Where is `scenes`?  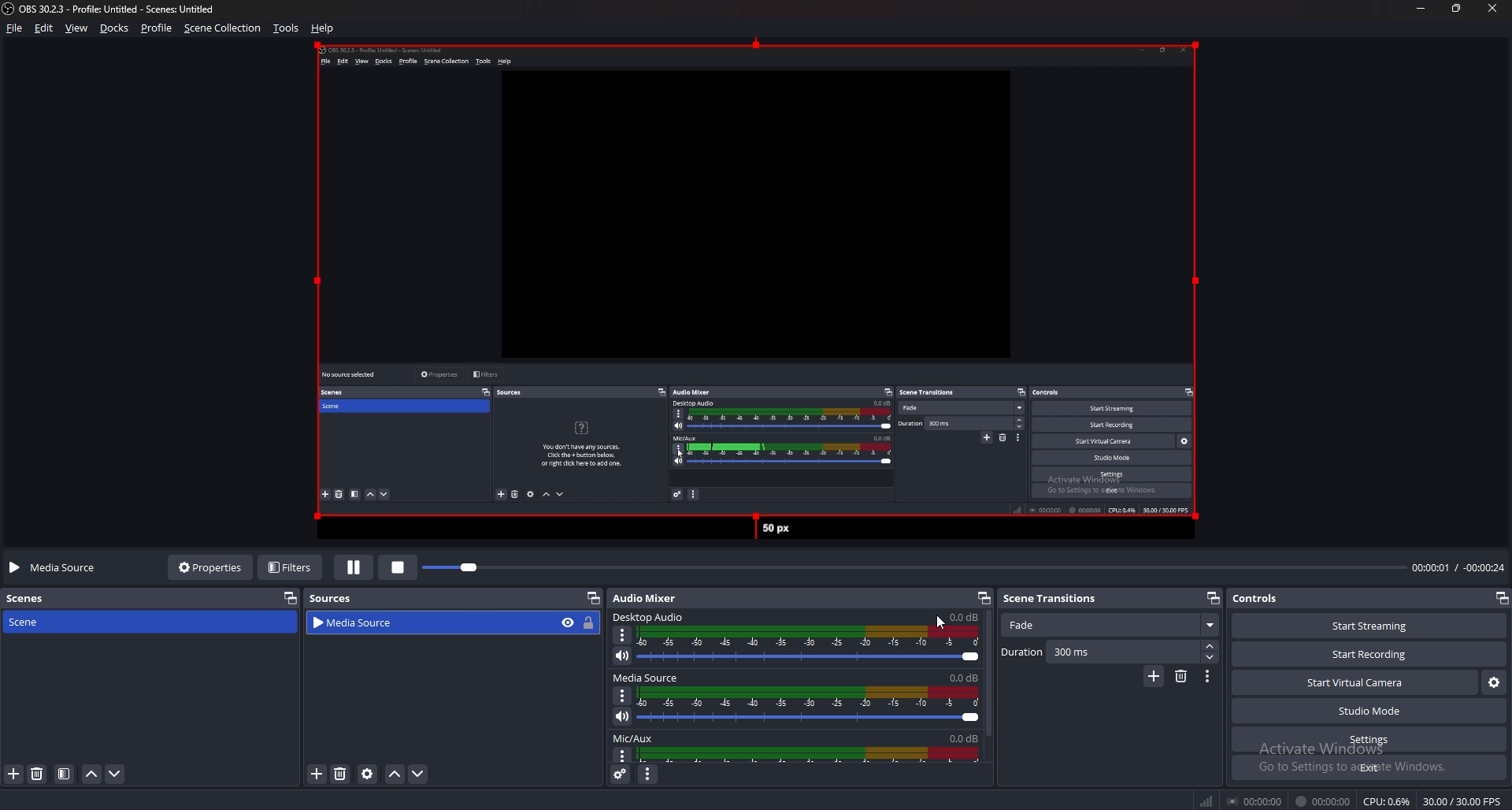
scenes is located at coordinates (33, 597).